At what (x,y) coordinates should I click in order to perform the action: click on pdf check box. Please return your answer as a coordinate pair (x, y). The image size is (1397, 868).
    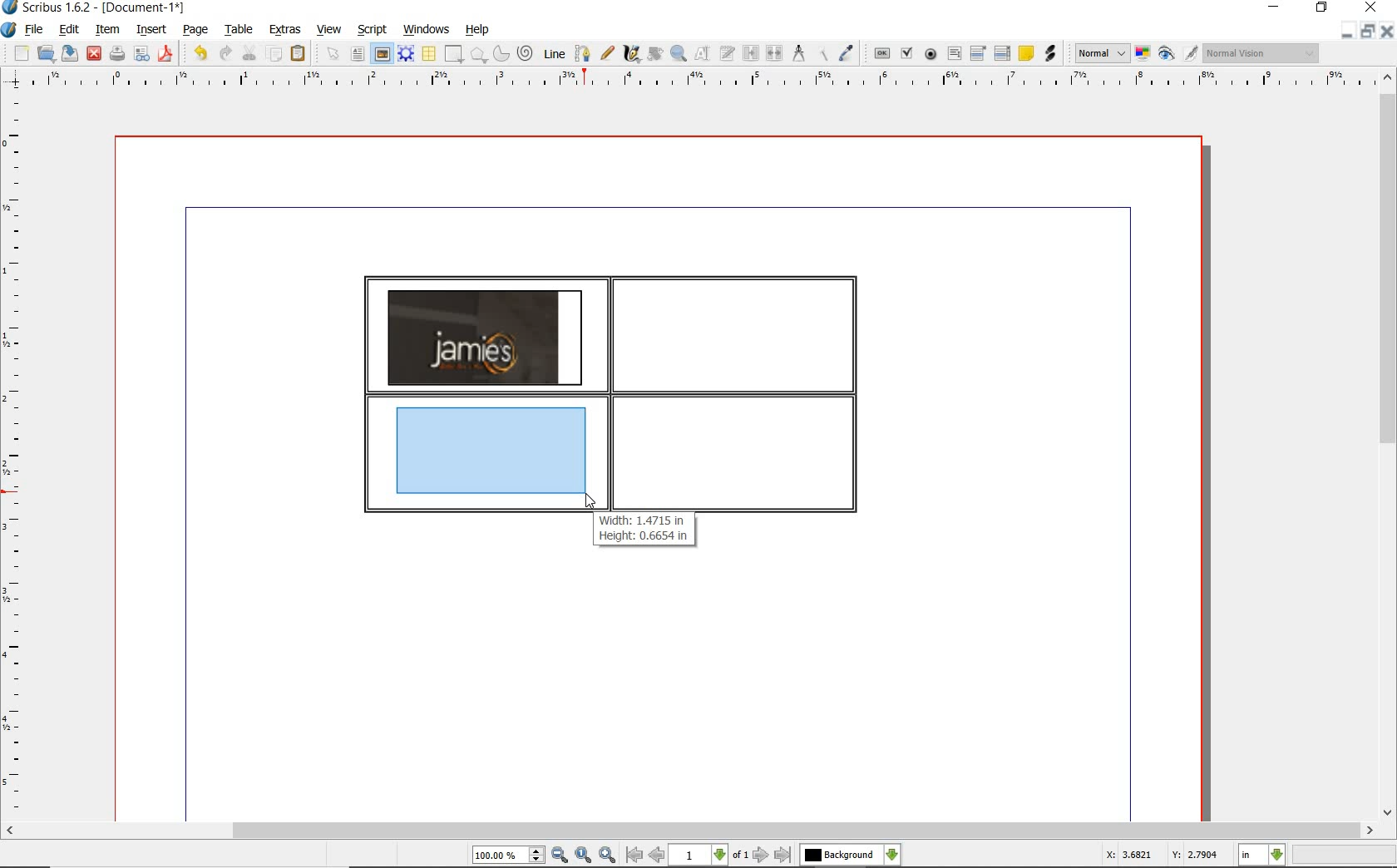
    Looking at the image, I should click on (909, 55).